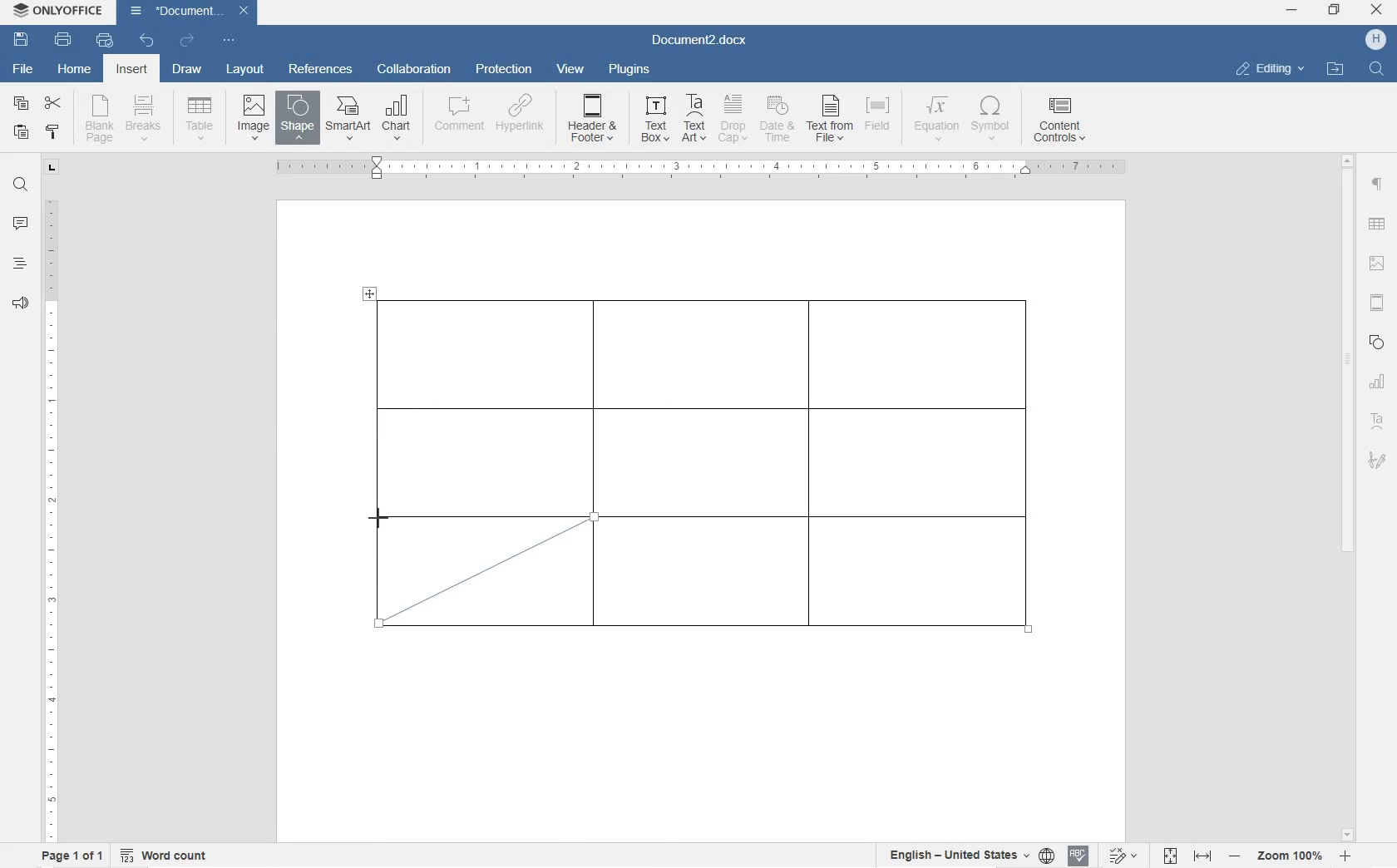 The image size is (1397, 868). Describe the element at coordinates (22, 40) in the screenshot. I see `save` at that location.